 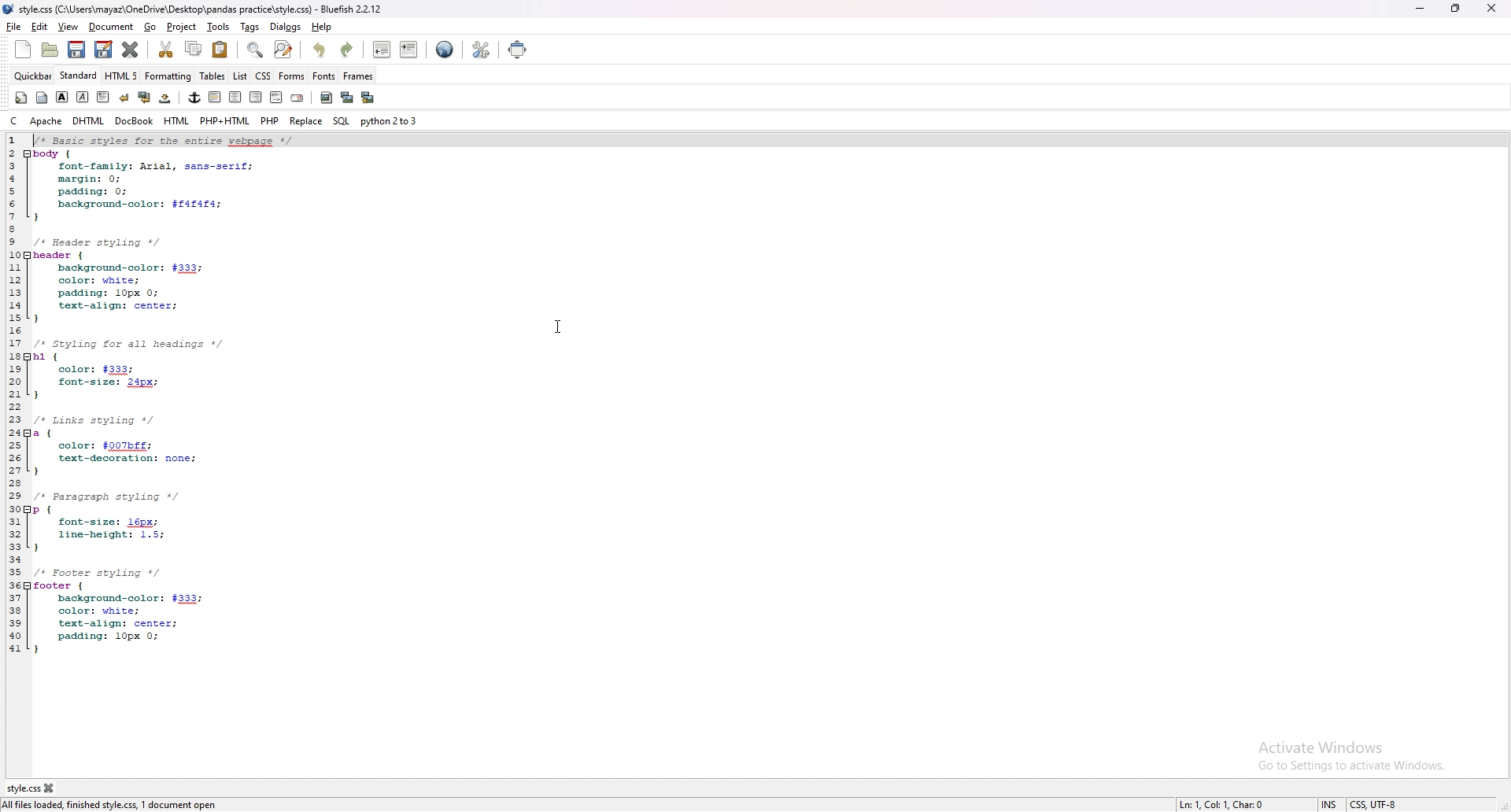 I want to click on insert image, so click(x=327, y=98).